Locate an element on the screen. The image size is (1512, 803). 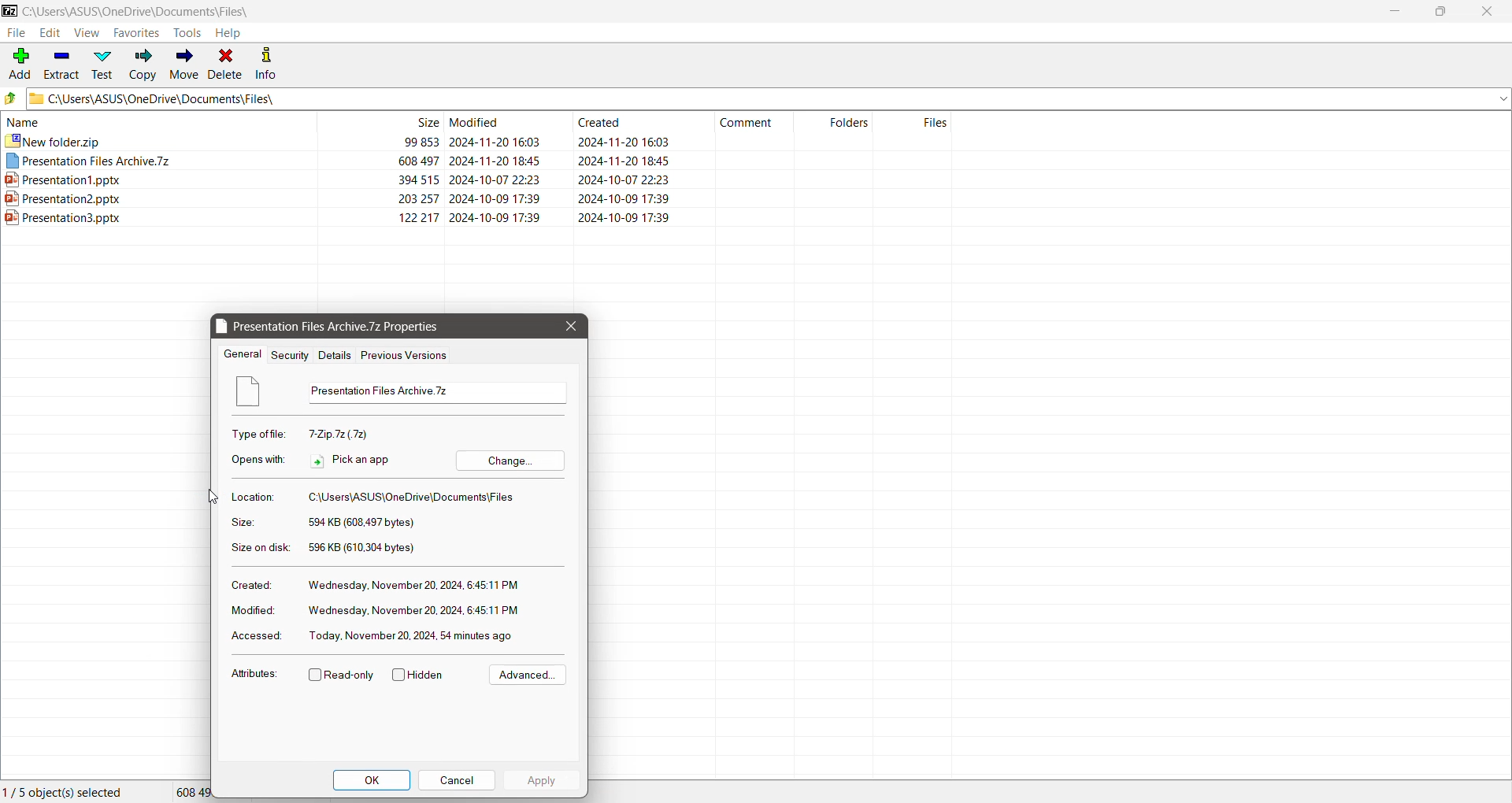
Application Logo is located at coordinates (9, 9).